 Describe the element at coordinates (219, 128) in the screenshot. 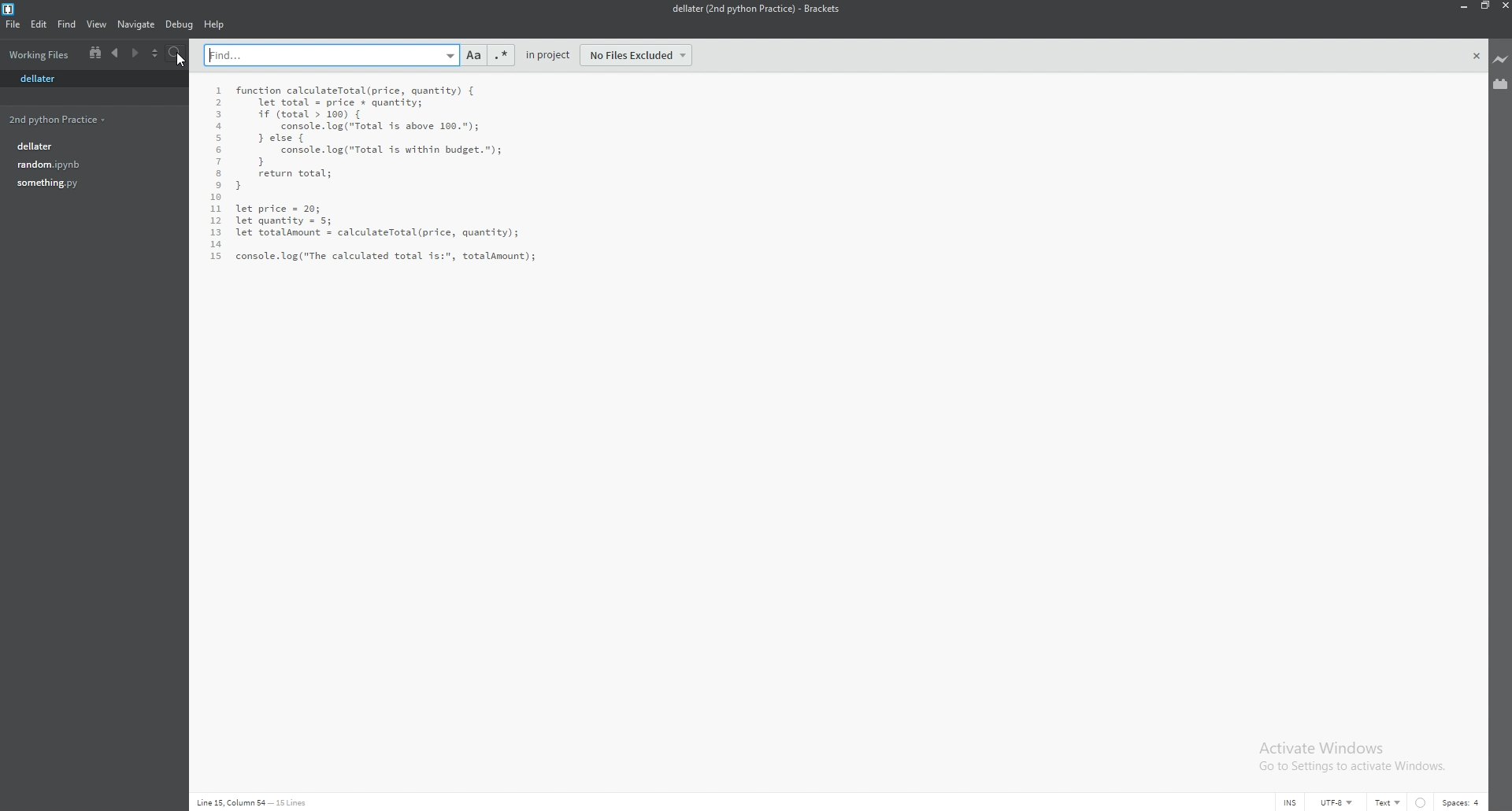

I see `4` at that location.